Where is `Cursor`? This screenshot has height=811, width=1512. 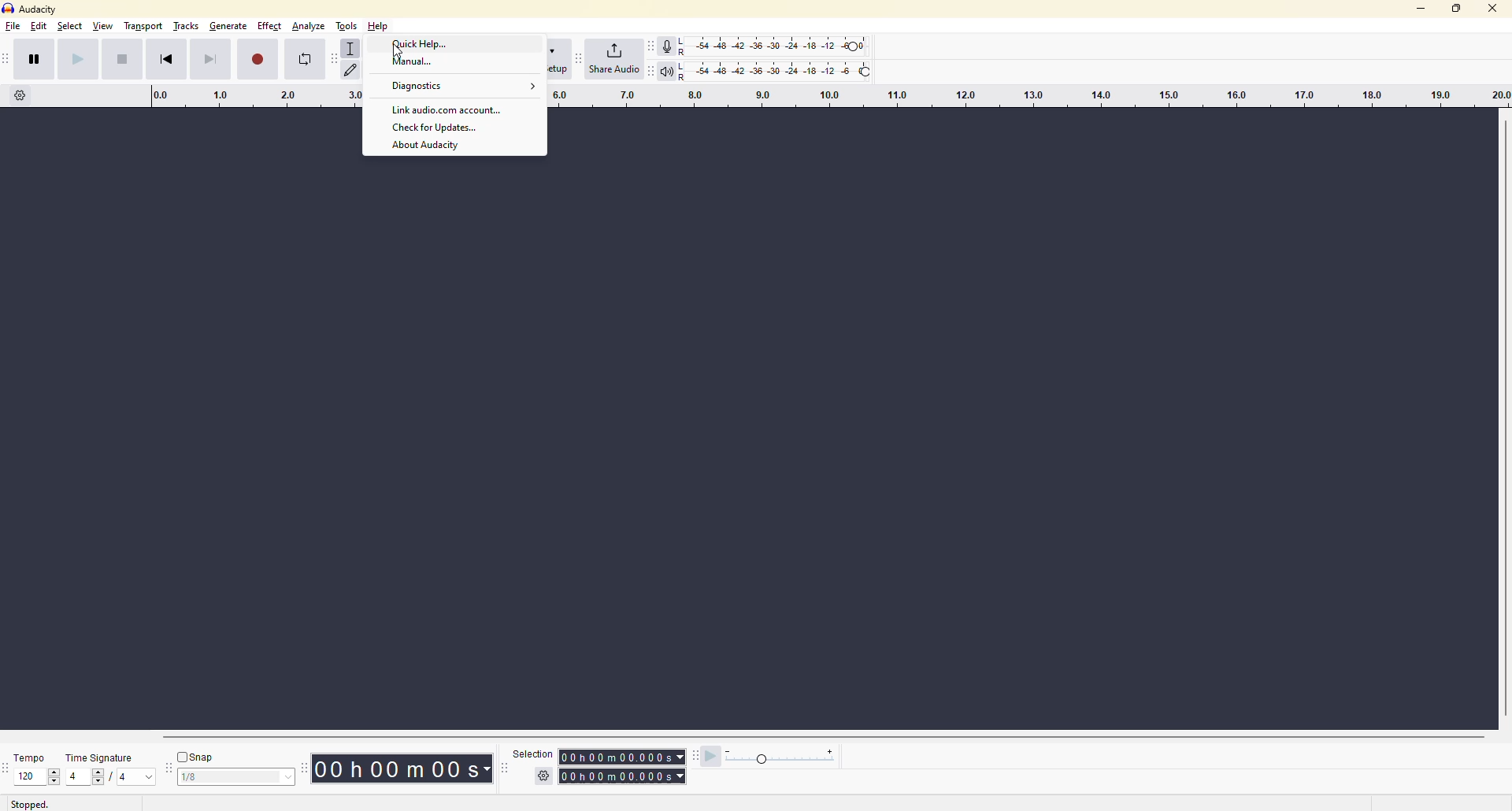 Cursor is located at coordinates (401, 50).